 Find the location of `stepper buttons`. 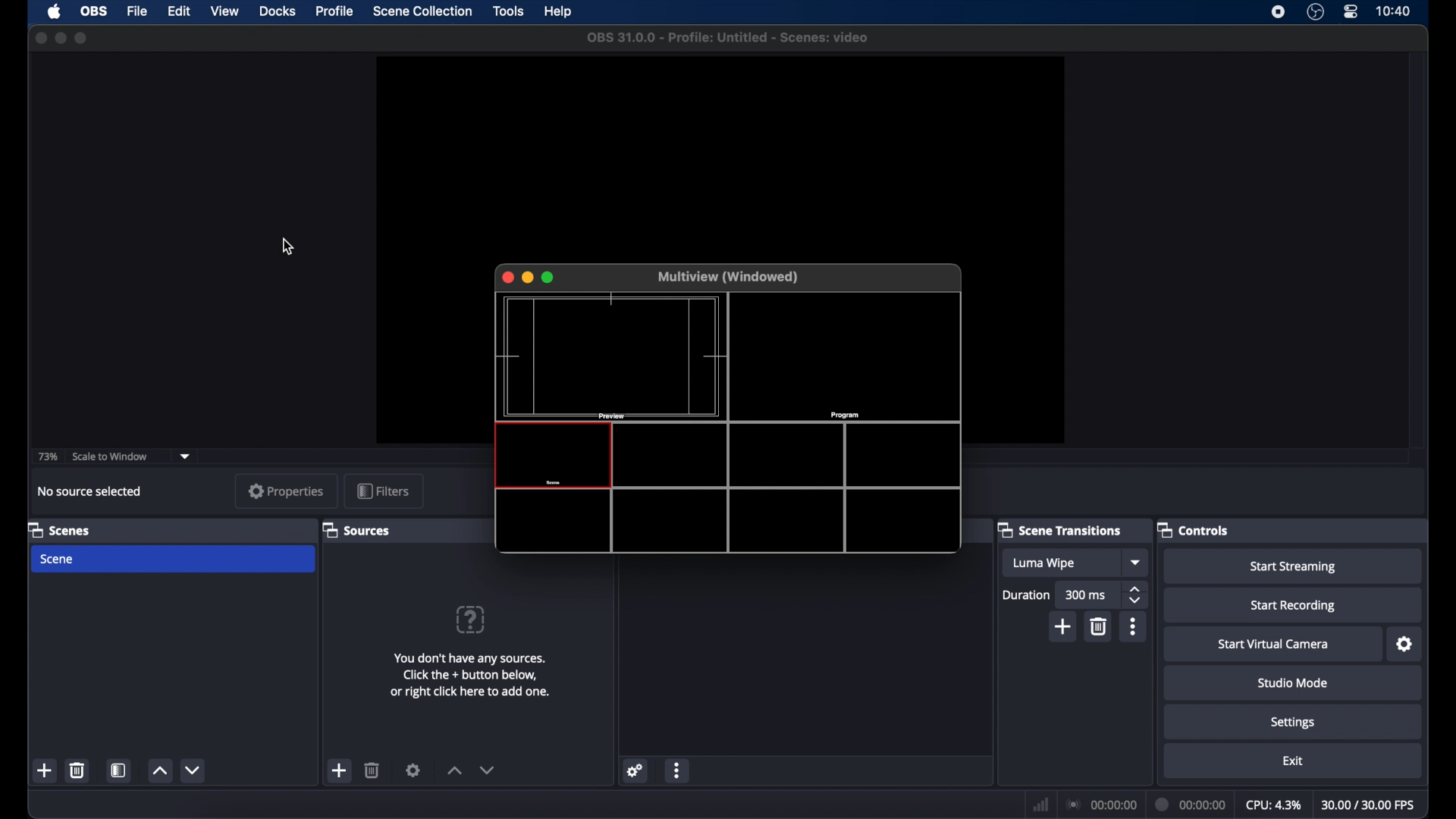

stepper buttons is located at coordinates (1136, 595).